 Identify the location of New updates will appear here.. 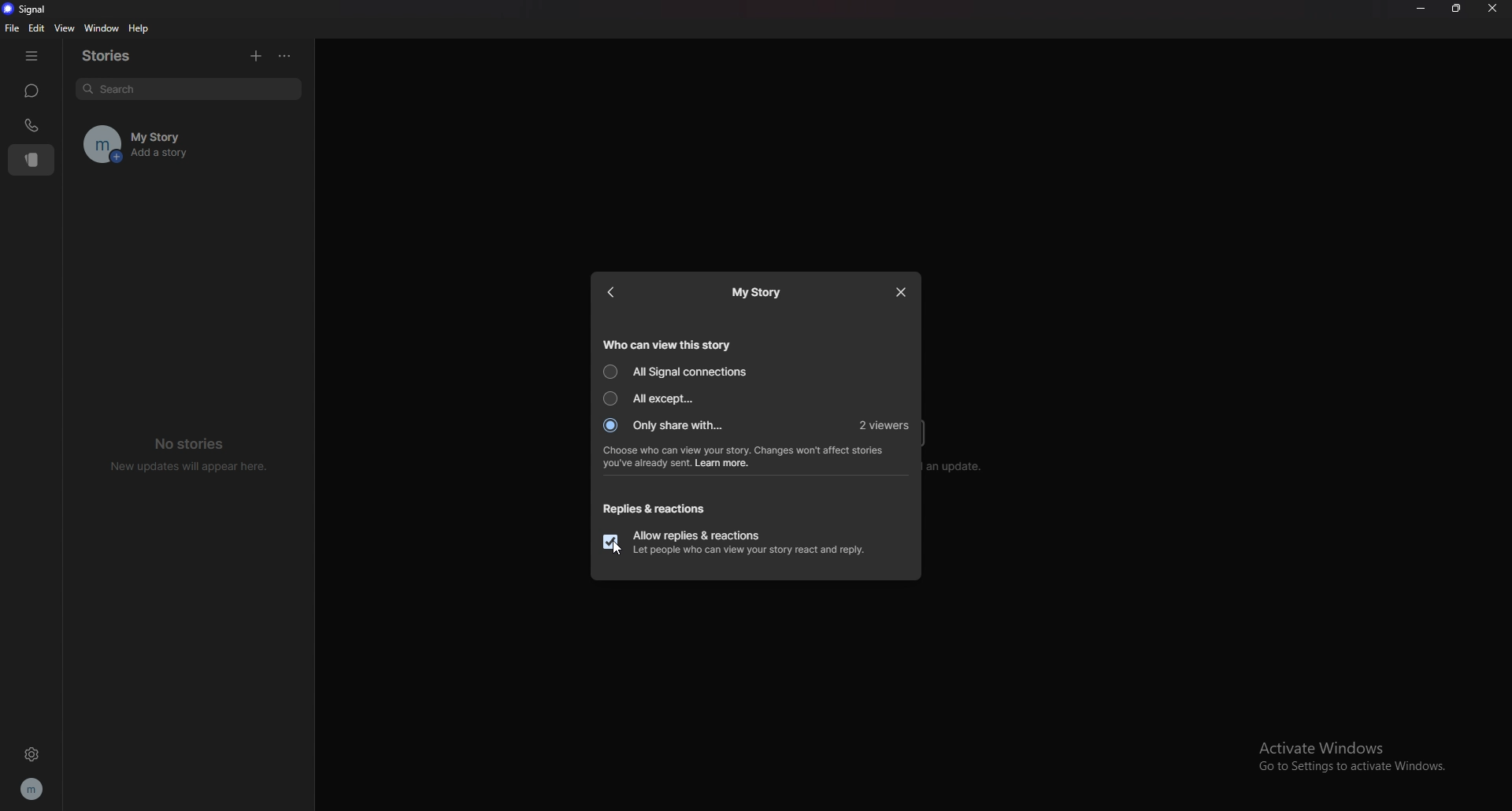
(191, 467).